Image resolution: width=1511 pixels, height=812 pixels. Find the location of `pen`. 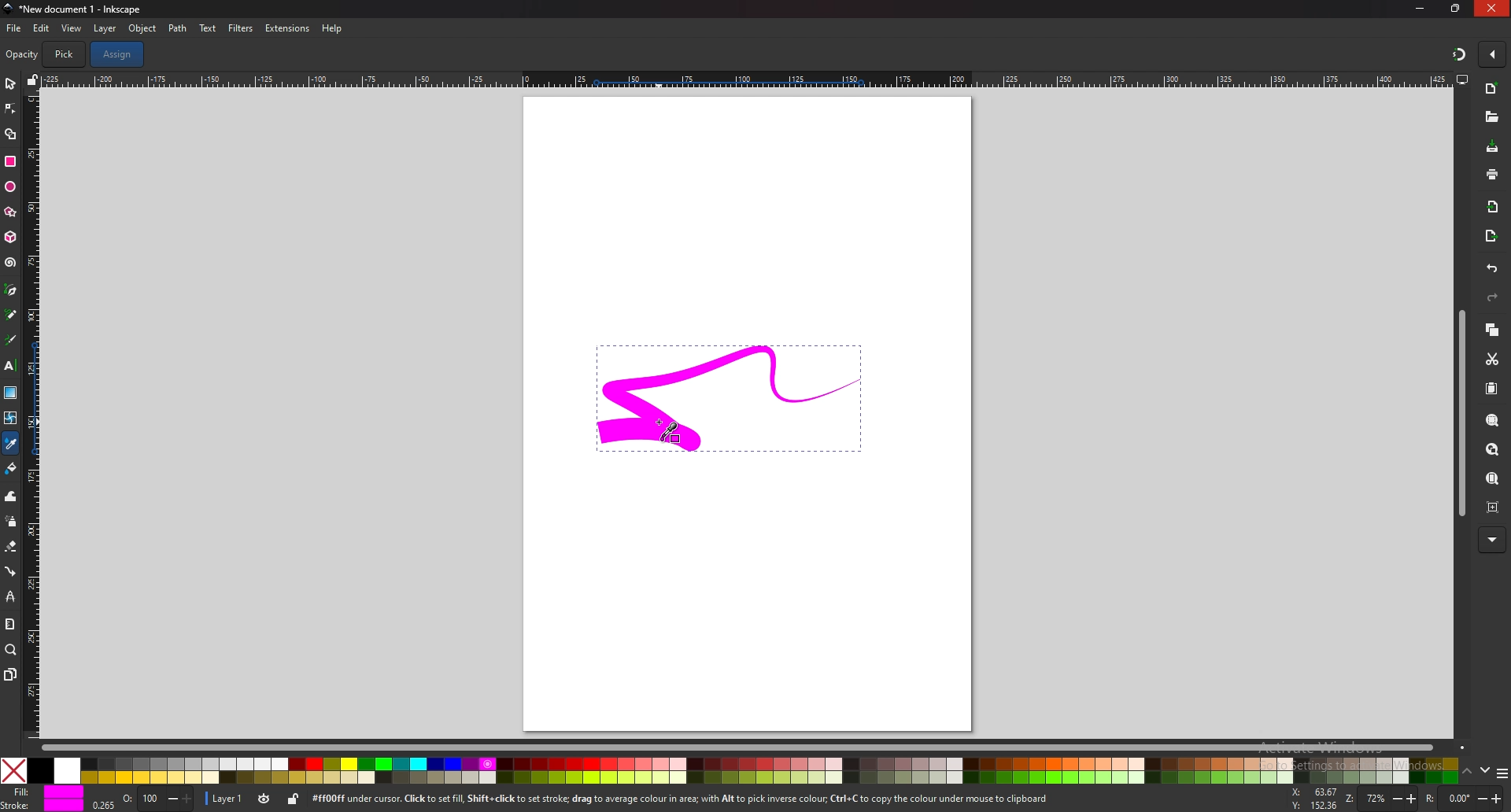

pen is located at coordinates (10, 289).